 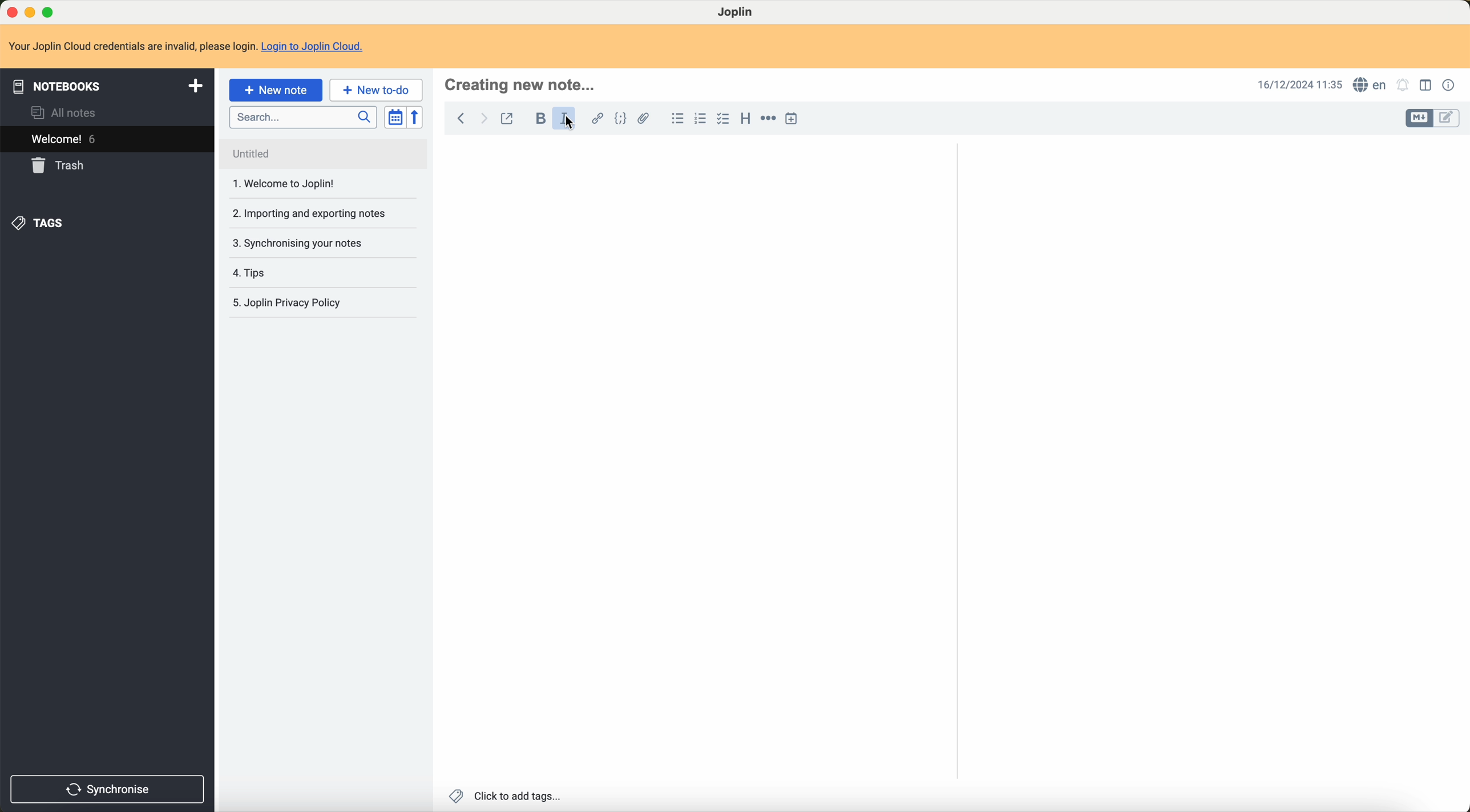 I want to click on synchronise, so click(x=109, y=789).